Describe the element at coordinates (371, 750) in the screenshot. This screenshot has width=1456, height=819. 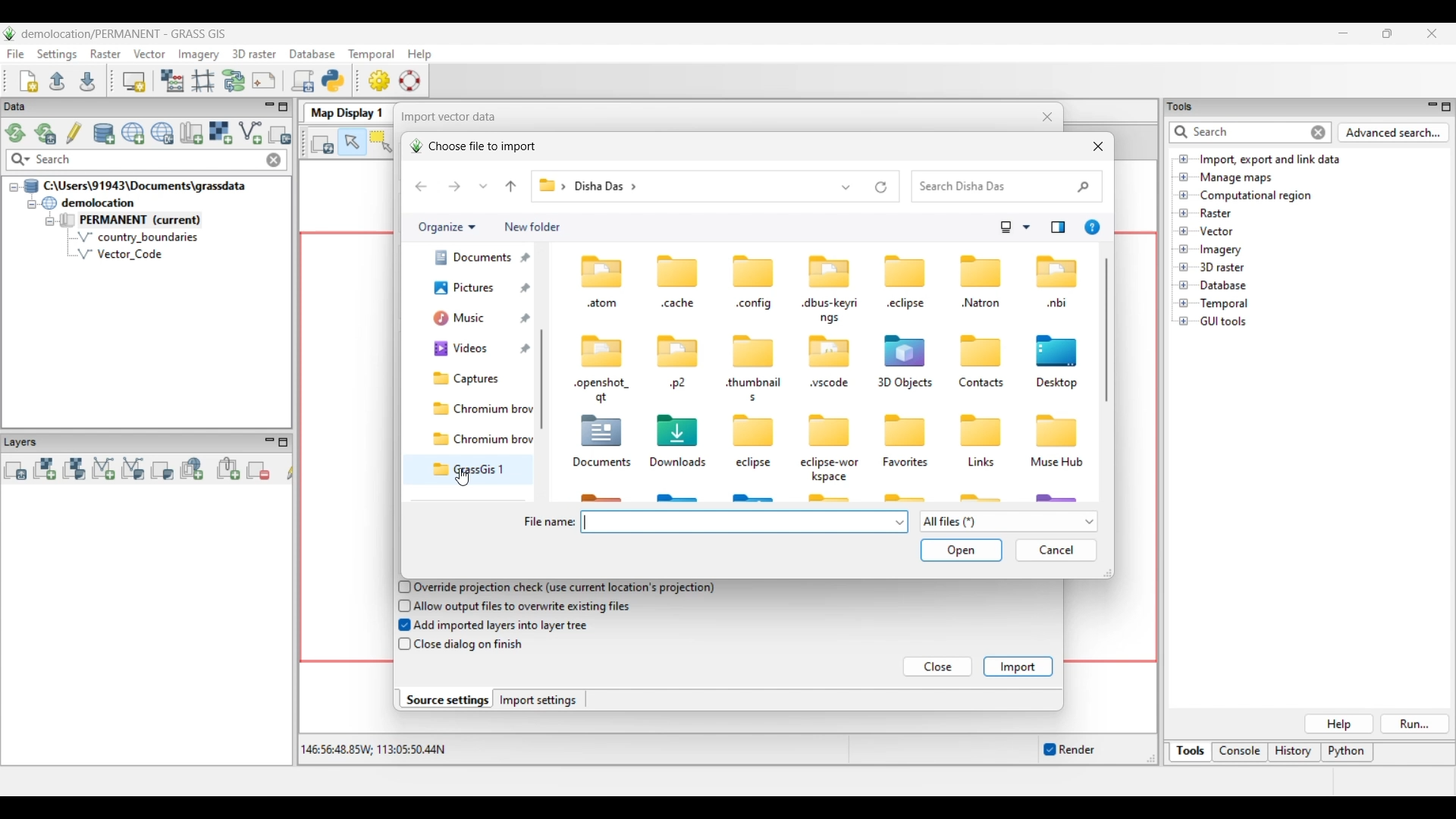
I see `Co-ordinates of the cursor within the display area` at that location.